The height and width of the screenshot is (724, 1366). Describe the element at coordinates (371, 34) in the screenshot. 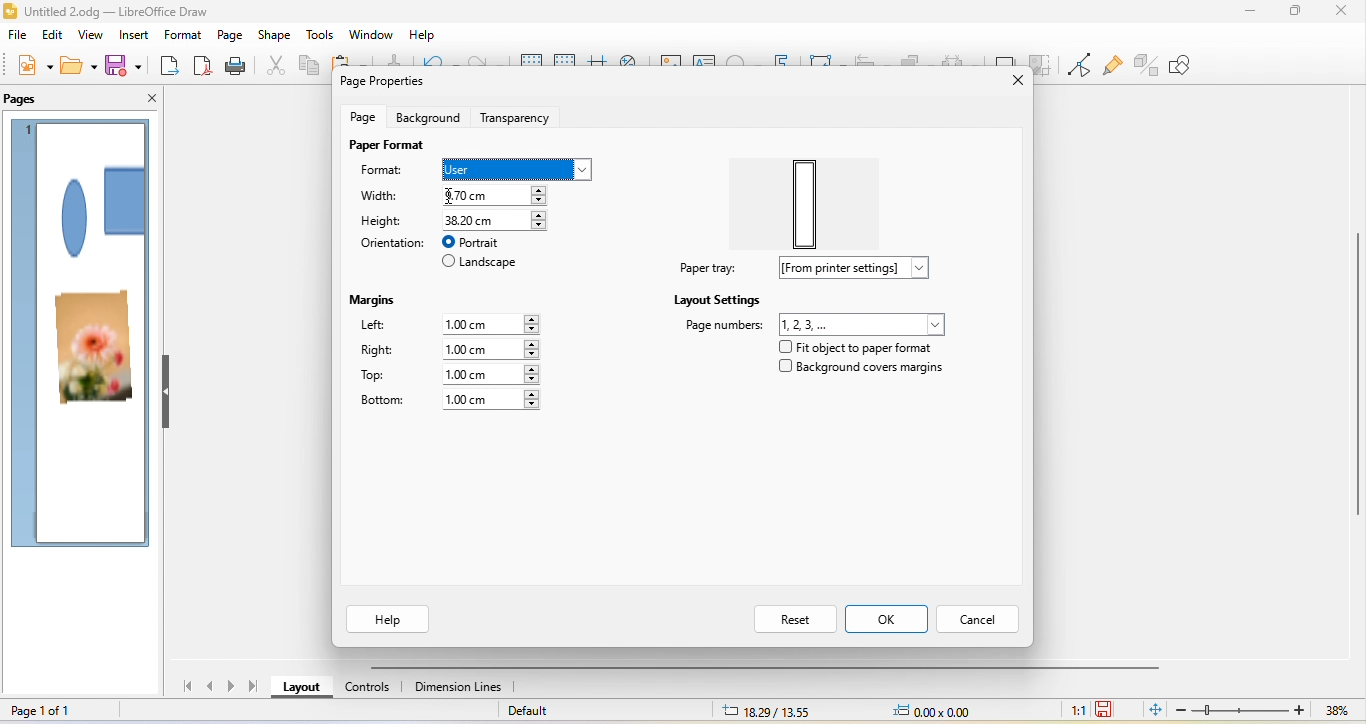

I see `window` at that location.